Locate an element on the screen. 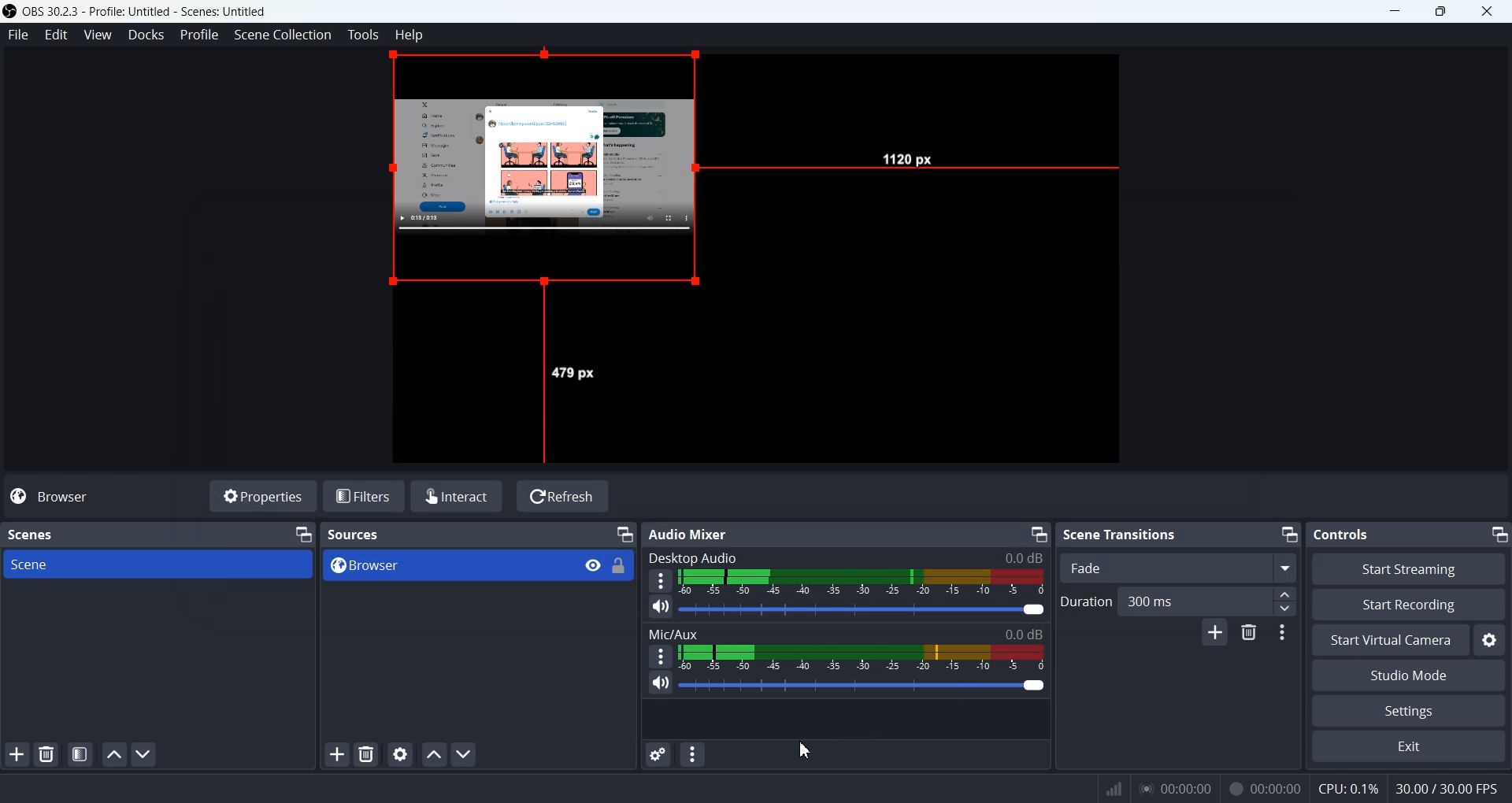 This screenshot has height=803, width=1512. More is located at coordinates (661, 580).